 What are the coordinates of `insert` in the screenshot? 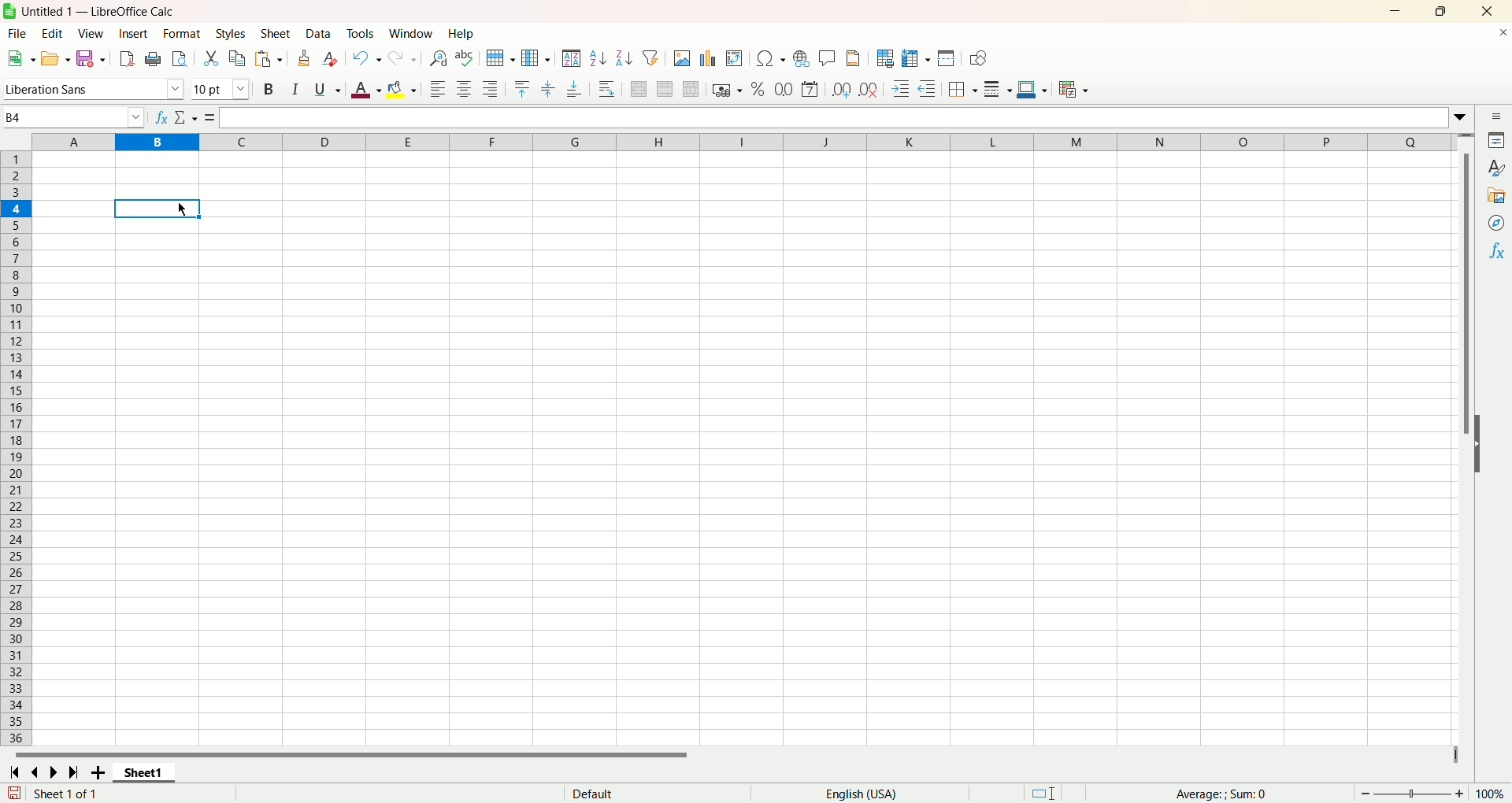 It's located at (134, 34).